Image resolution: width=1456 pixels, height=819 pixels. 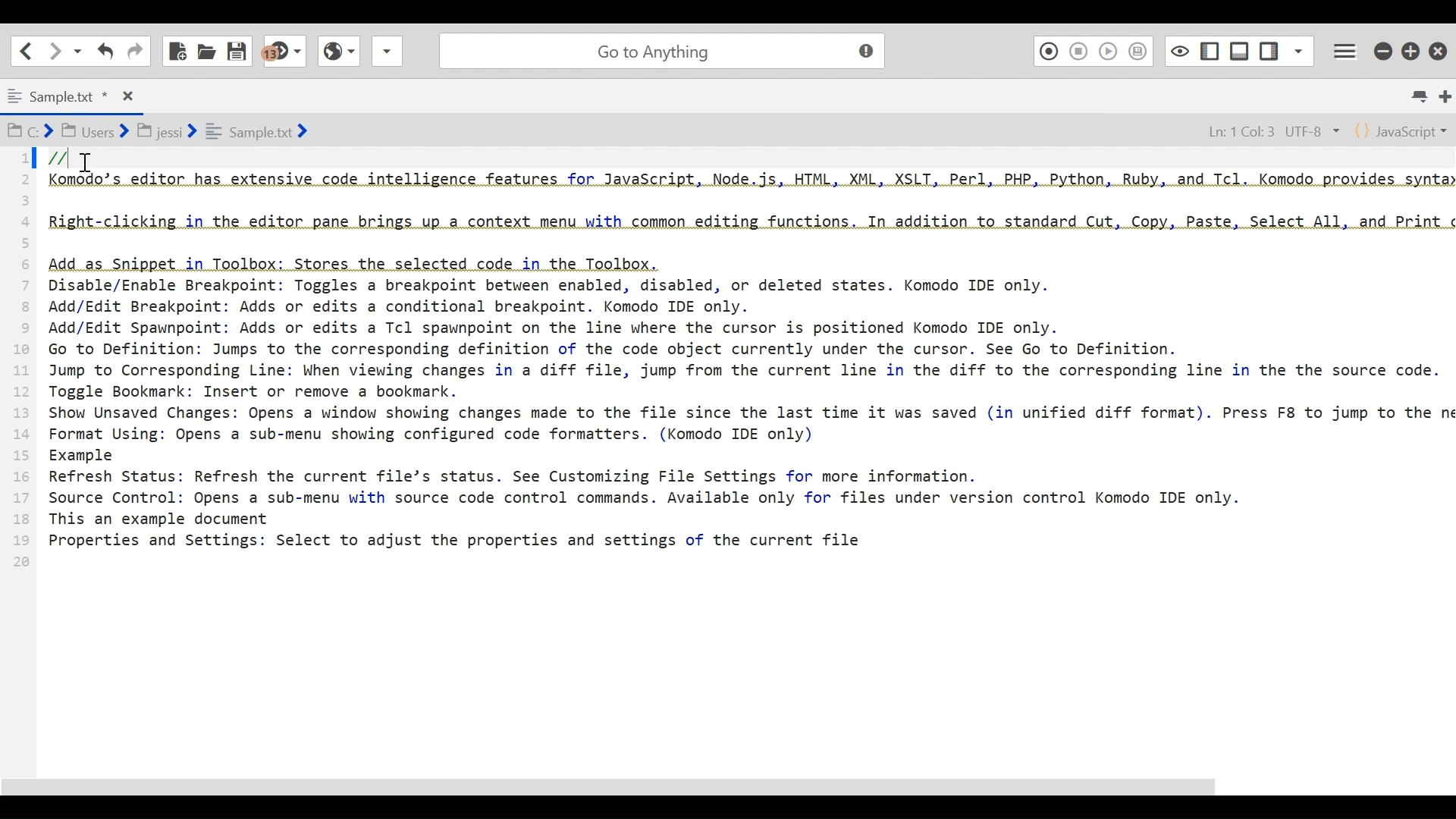 I want to click on Jump to syntax, so click(x=286, y=52).